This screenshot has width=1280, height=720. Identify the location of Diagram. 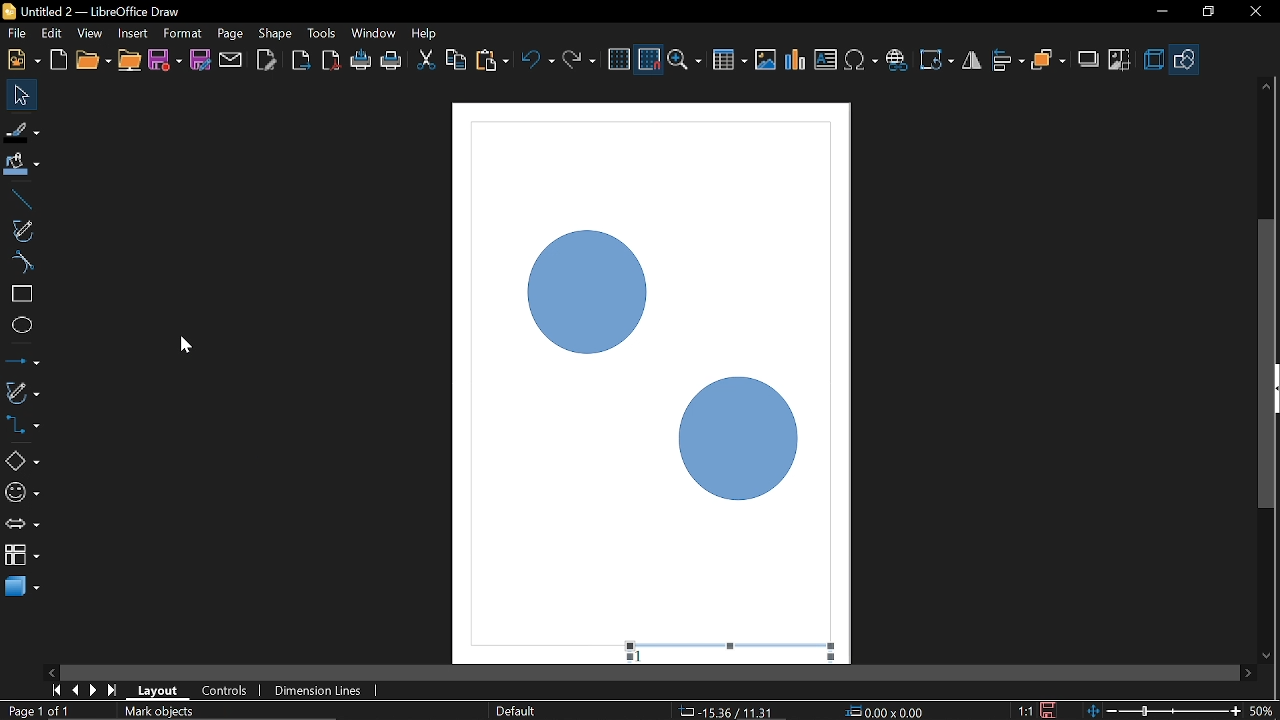
(654, 361).